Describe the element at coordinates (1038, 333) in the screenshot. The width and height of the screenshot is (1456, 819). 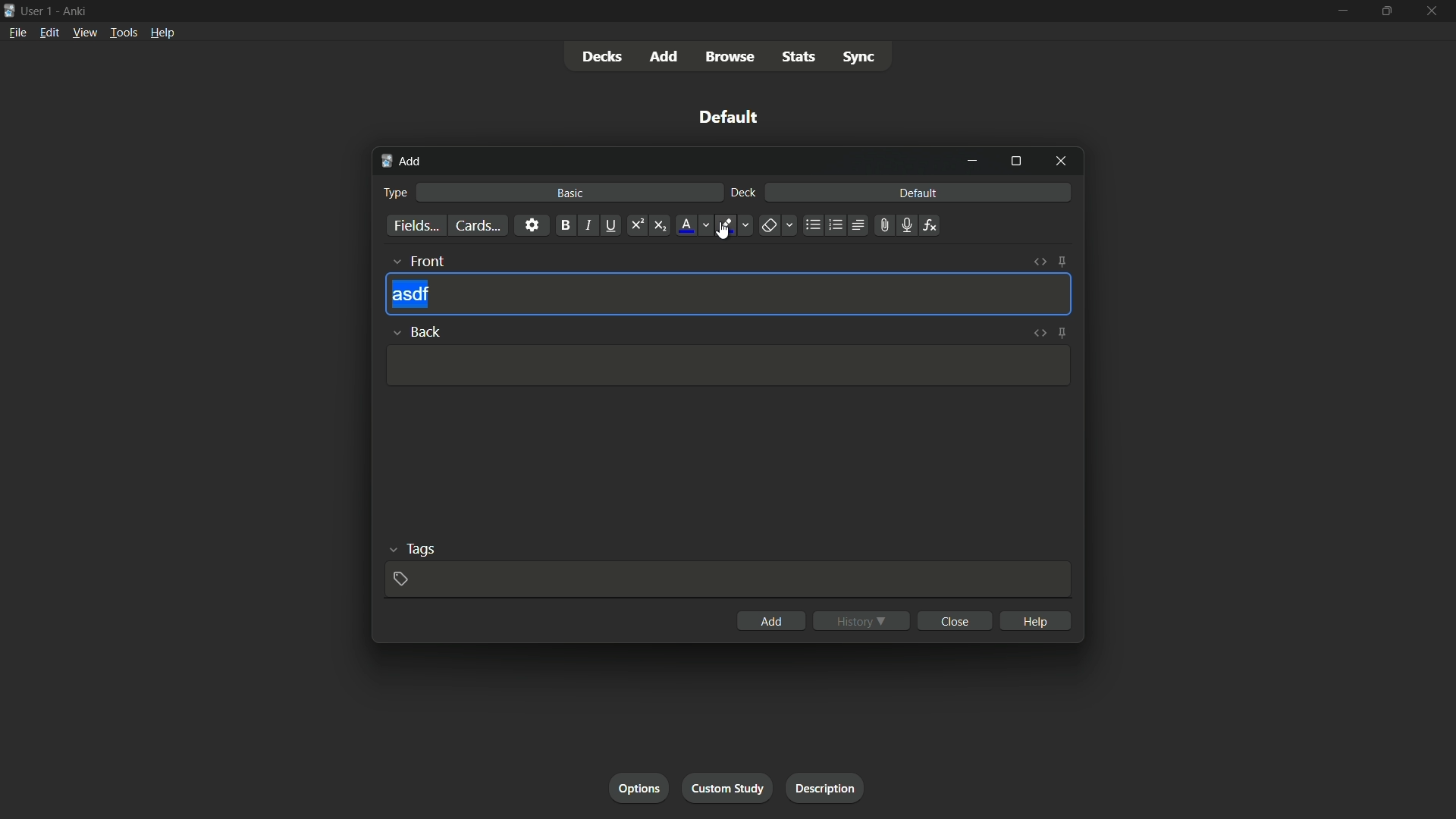
I see `toggle html editor` at that location.